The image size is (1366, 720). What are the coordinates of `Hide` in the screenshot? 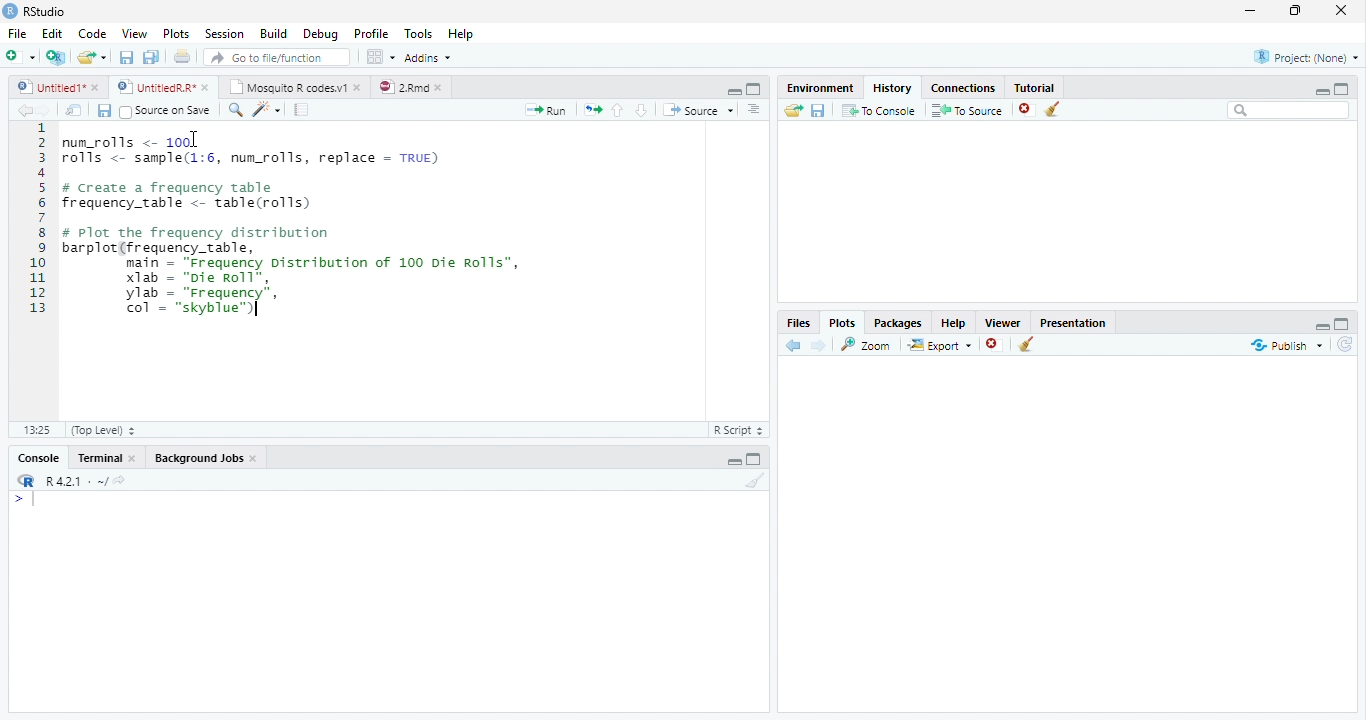 It's located at (1322, 327).